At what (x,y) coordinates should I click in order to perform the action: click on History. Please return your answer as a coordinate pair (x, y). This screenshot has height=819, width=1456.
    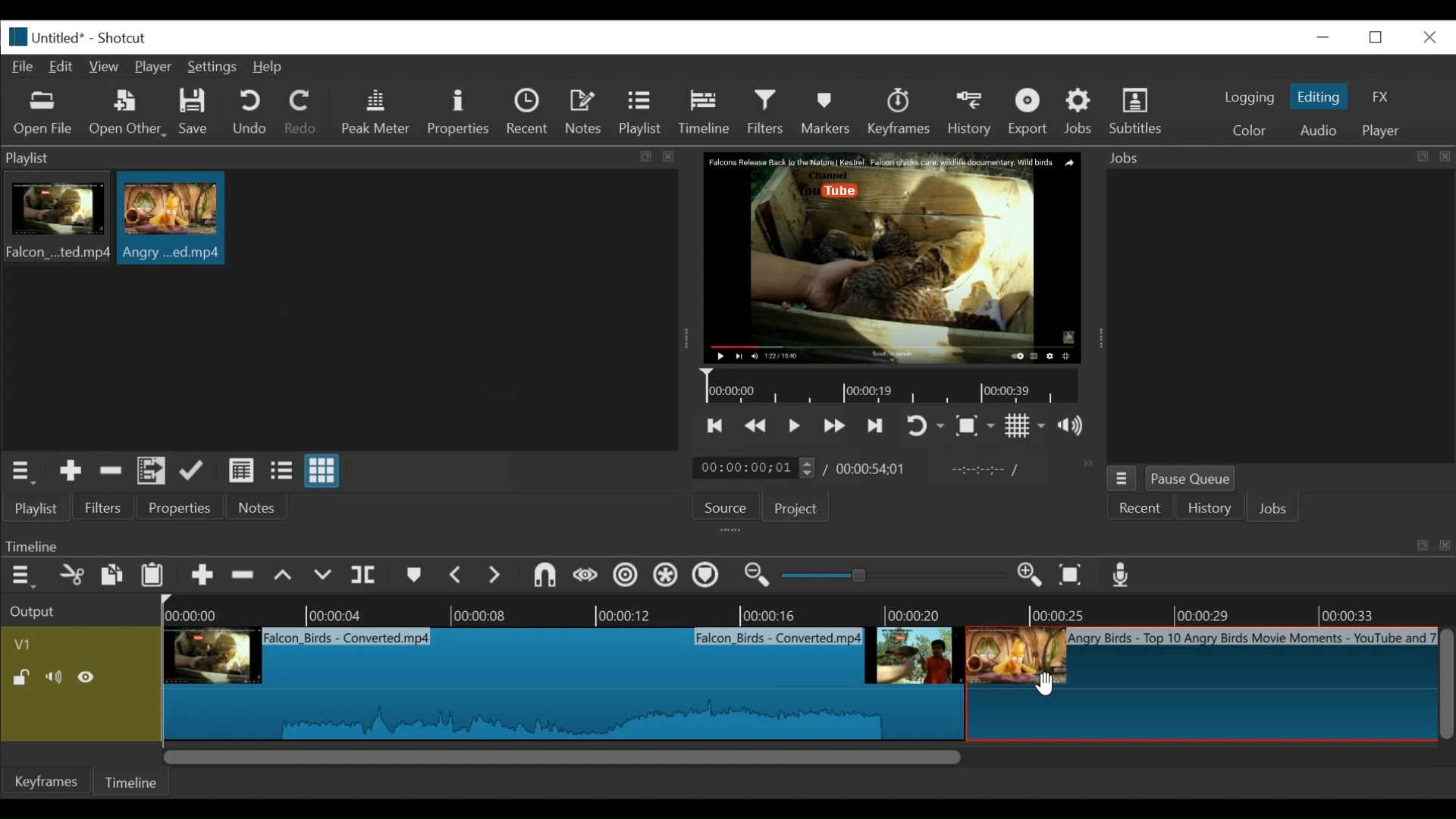
    Looking at the image, I should click on (1210, 510).